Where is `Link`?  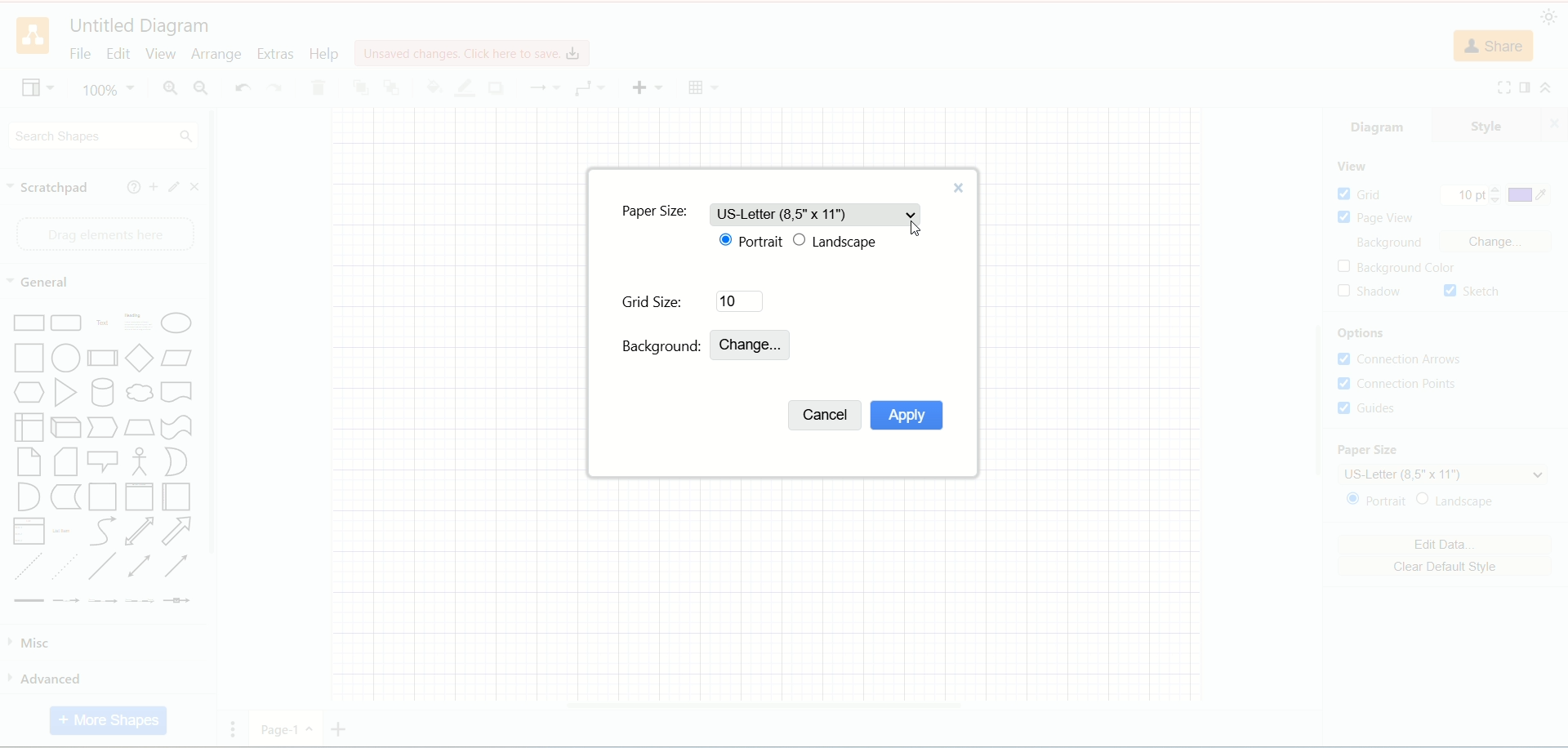 Link is located at coordinates (29, 601).